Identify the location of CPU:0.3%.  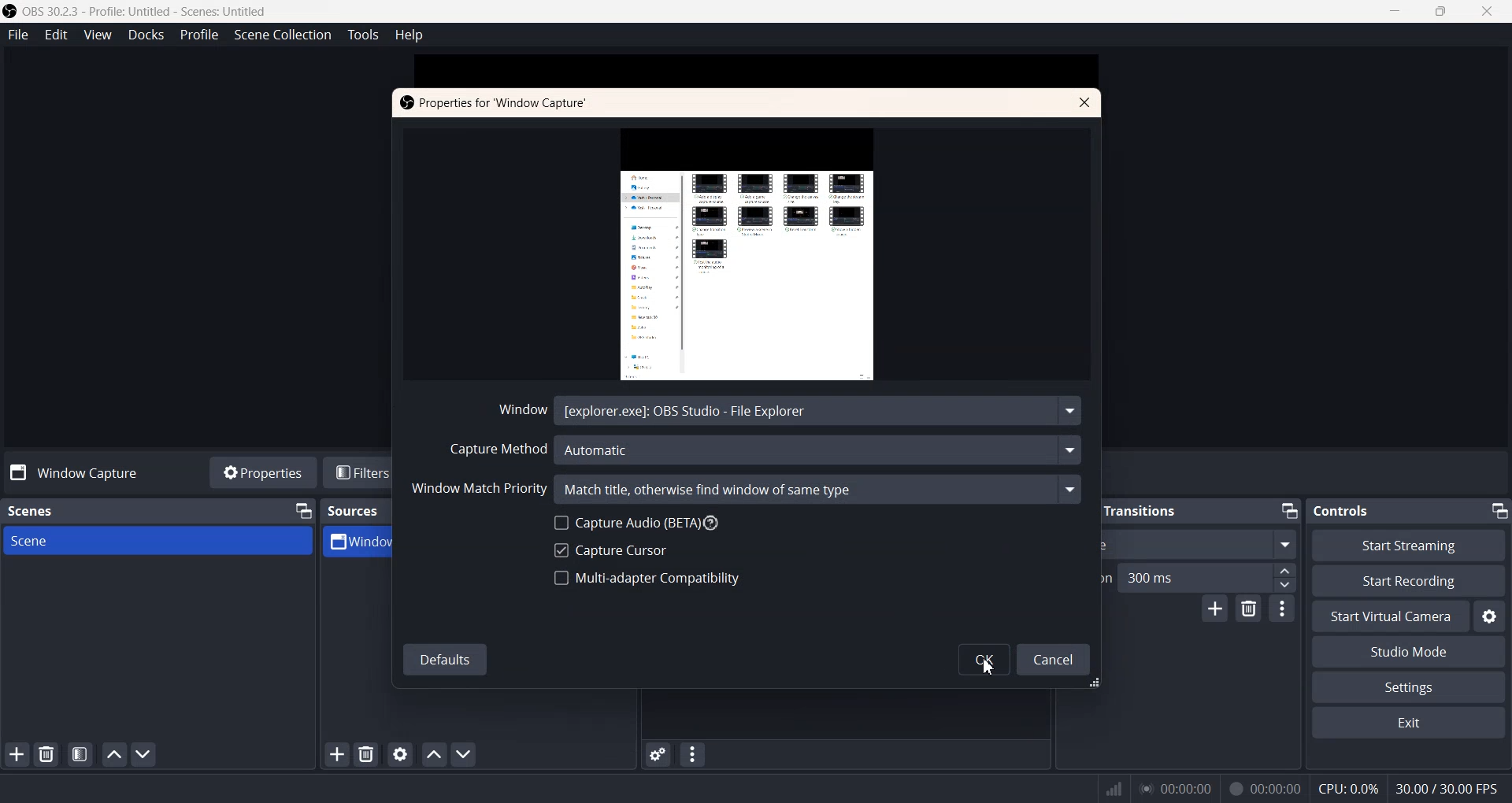
(1347, 787).